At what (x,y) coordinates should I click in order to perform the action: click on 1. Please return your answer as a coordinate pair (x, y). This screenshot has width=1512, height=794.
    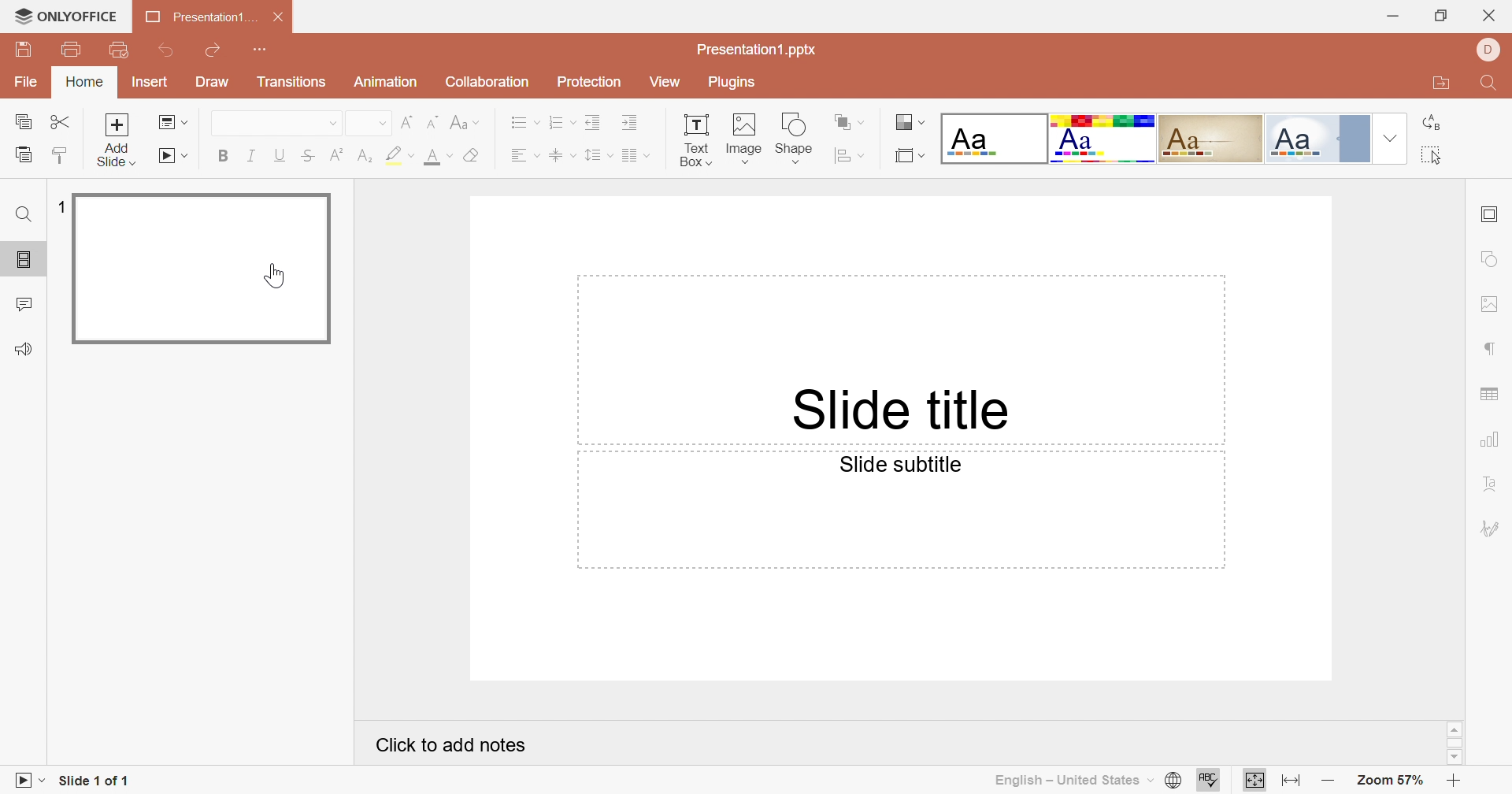
    Looking at the image, I should click on (57, 201).